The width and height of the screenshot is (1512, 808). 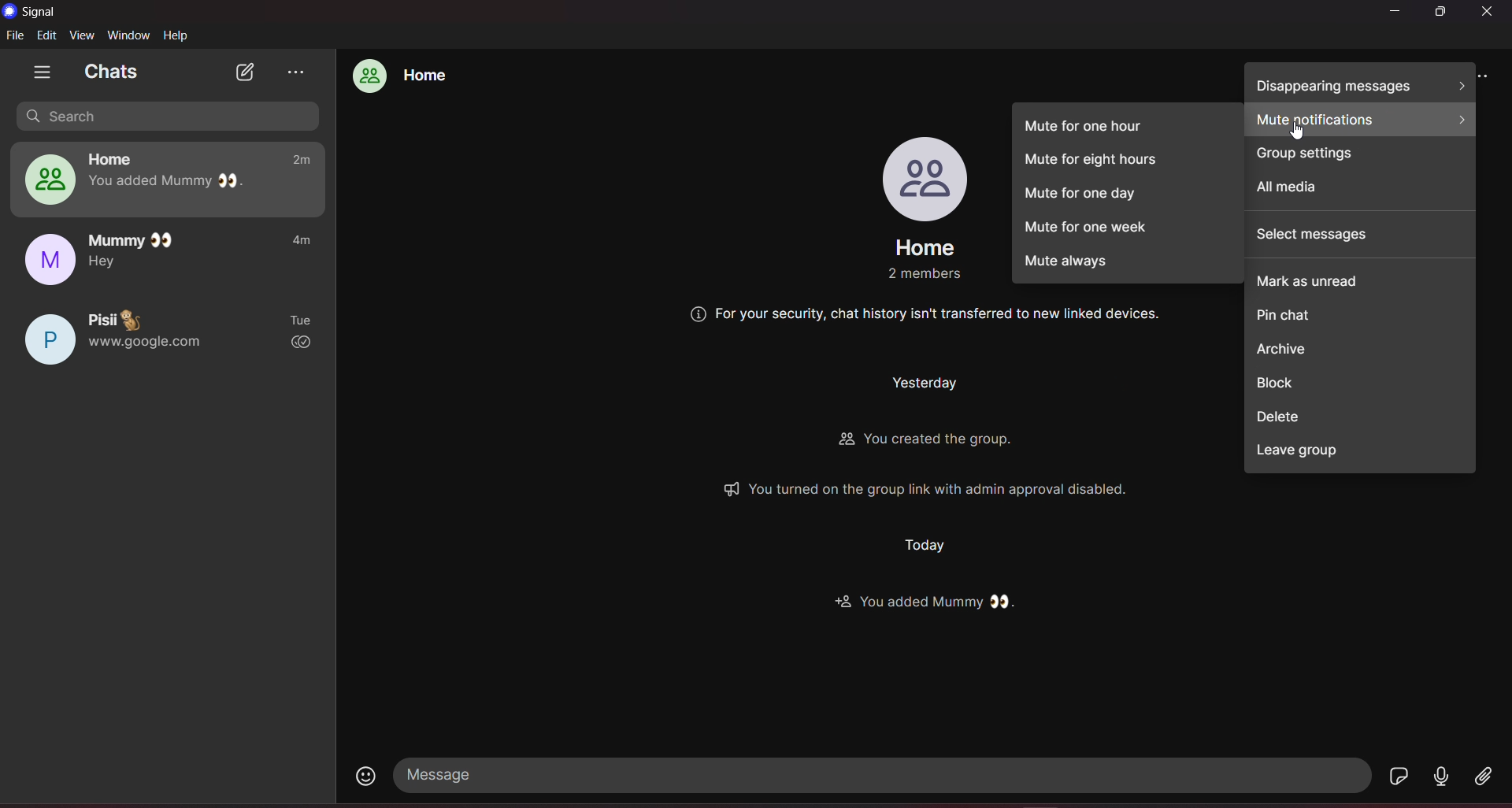 I want to click on minimize, so click(x=1395, y=13).